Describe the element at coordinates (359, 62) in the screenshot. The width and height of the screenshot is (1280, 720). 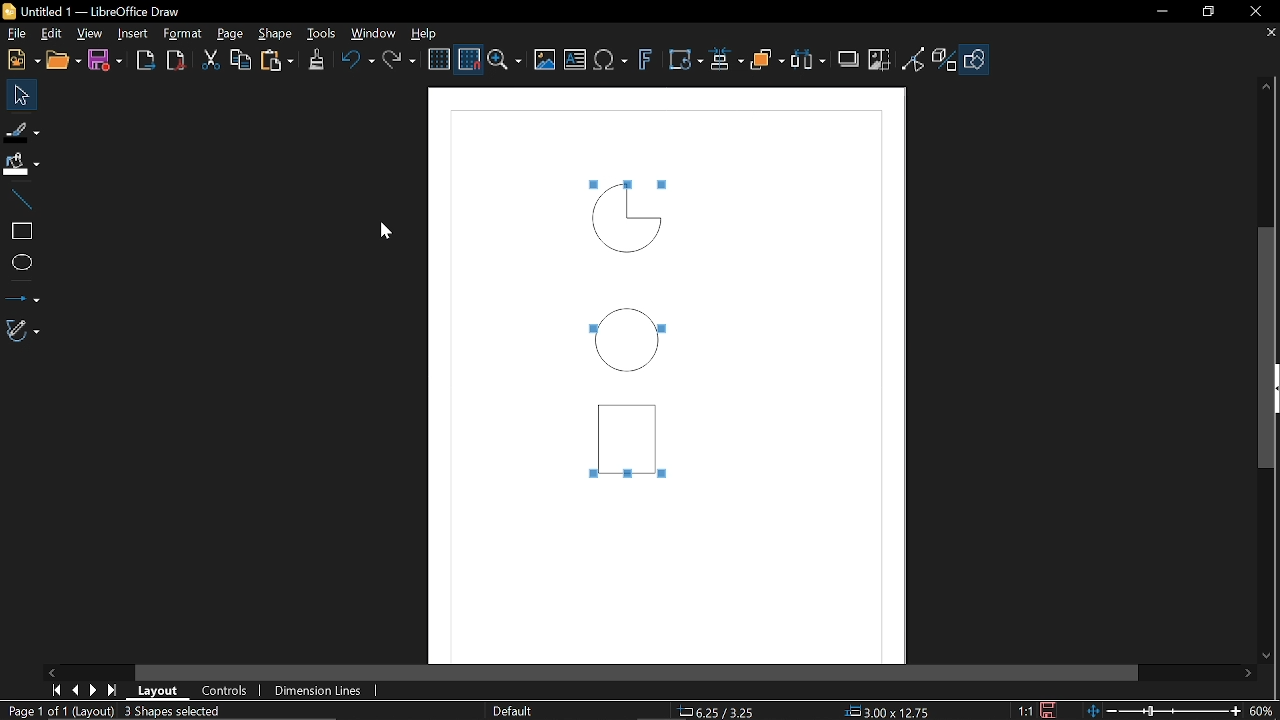
I see `undo` at that location.